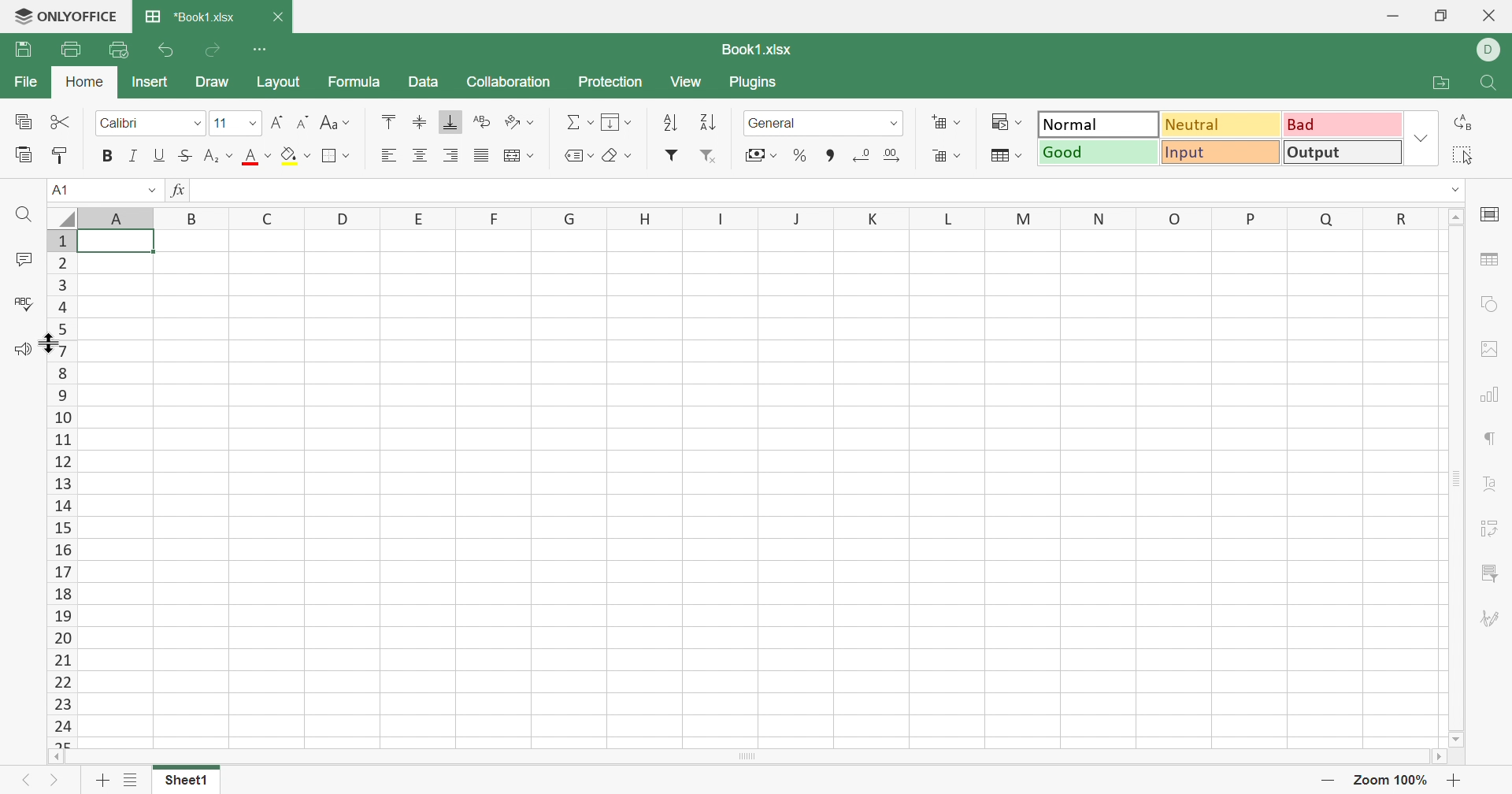 Image resolution: width=1512 pixels, height=794 pixels. Describe the element at coordinates (1440, 15) in the screenshot. I see `Restore Down` at that location.